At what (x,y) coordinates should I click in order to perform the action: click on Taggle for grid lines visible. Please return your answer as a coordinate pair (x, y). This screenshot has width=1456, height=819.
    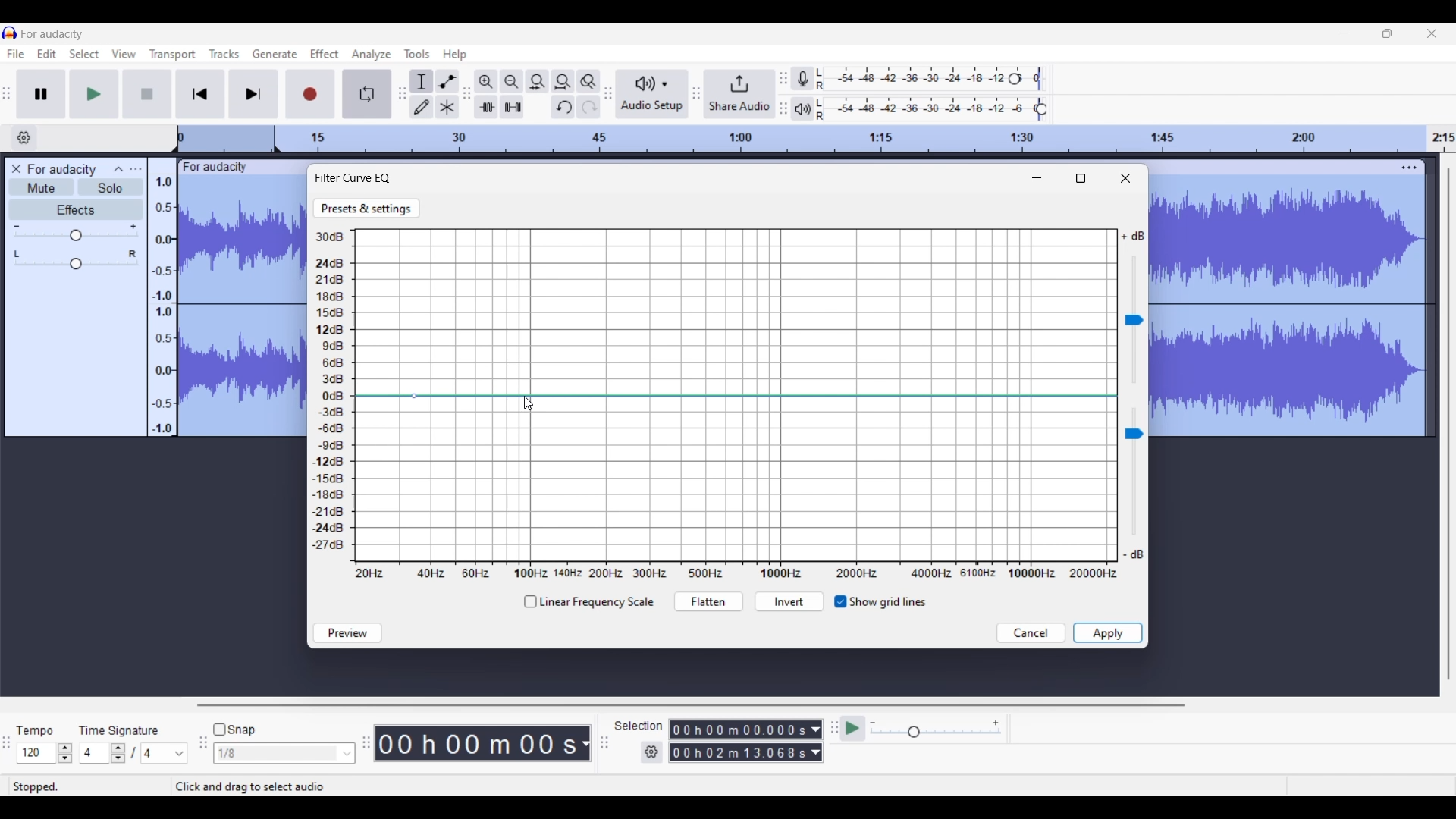
    Looking at the image, I should click on (880, 602).